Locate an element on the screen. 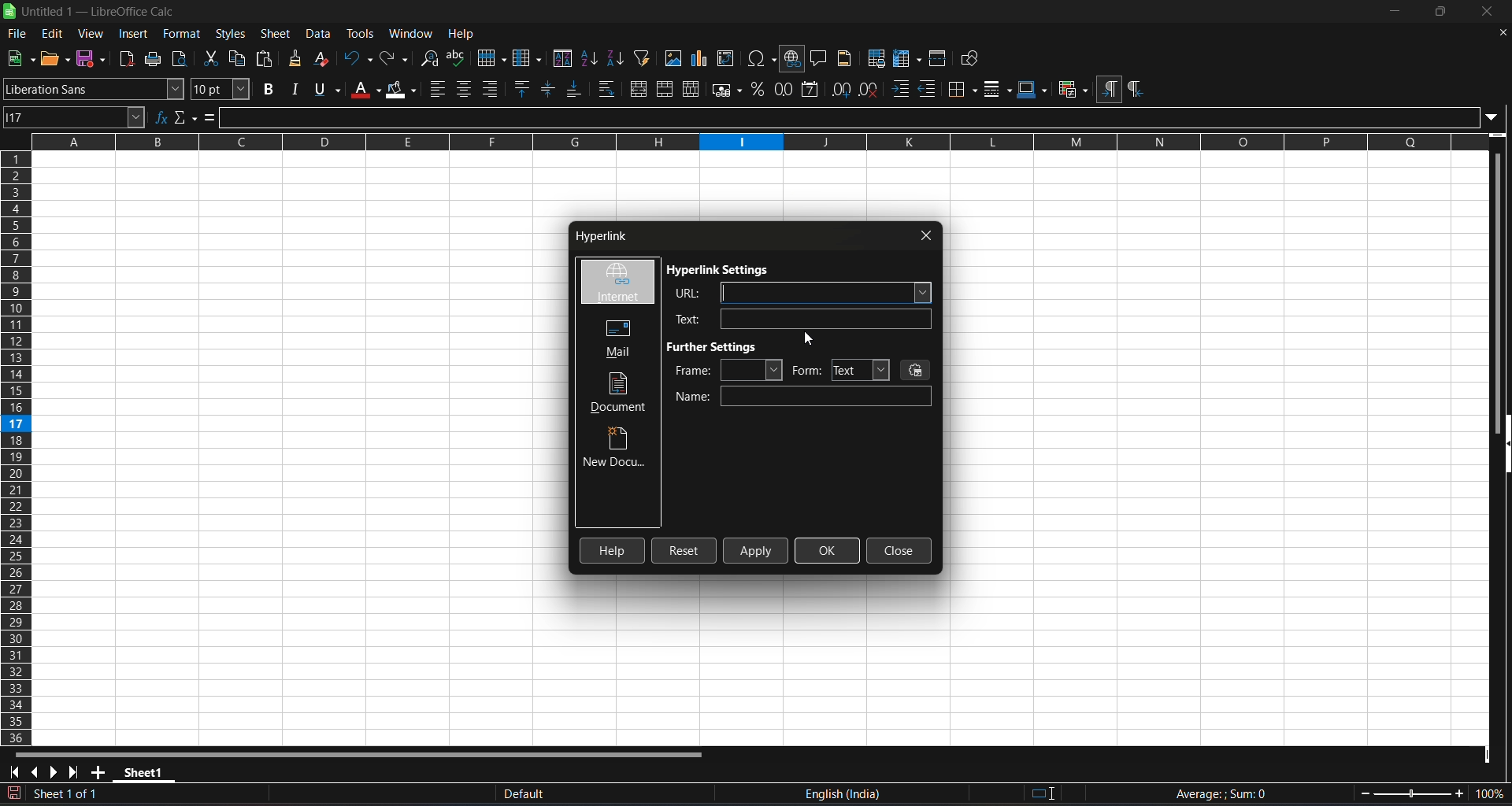  background color is located at coordinates (402, 88).